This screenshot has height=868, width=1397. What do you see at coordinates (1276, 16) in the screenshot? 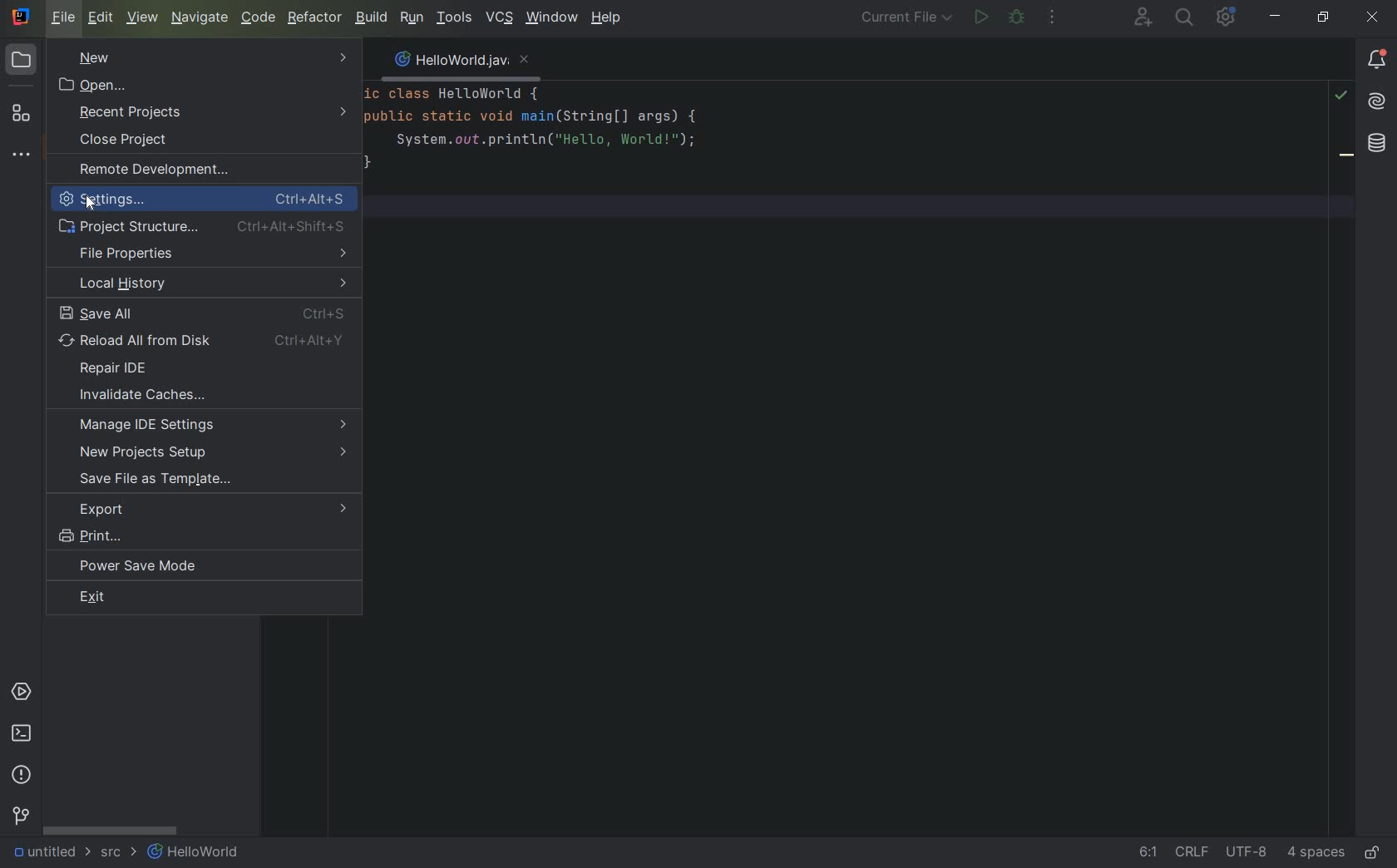
I see `minimize` at bounding box center [1276, 16].